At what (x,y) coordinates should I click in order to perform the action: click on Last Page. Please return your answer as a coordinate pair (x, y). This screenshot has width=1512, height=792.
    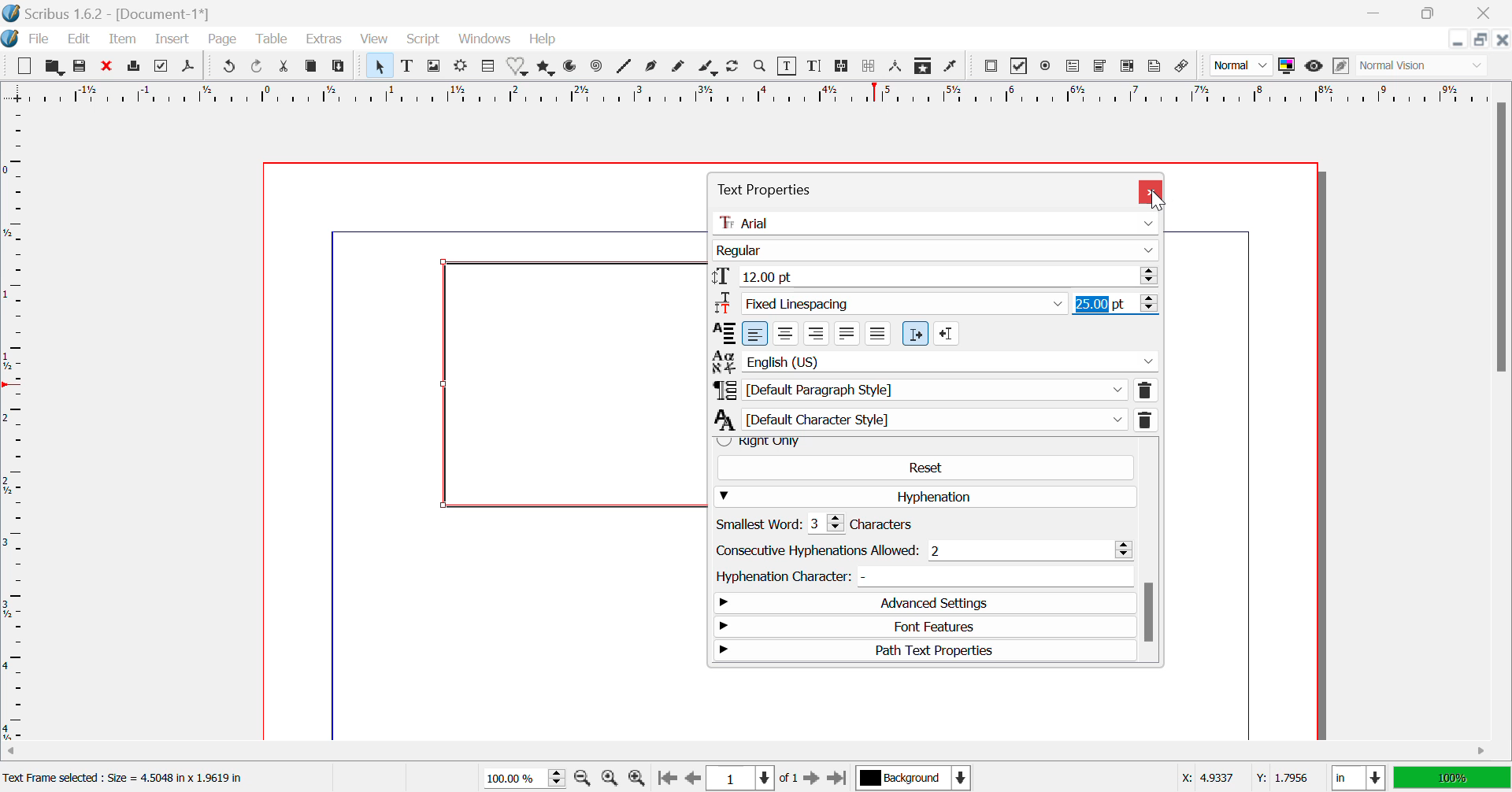
    Looking at the image, I should click on (836, 777).